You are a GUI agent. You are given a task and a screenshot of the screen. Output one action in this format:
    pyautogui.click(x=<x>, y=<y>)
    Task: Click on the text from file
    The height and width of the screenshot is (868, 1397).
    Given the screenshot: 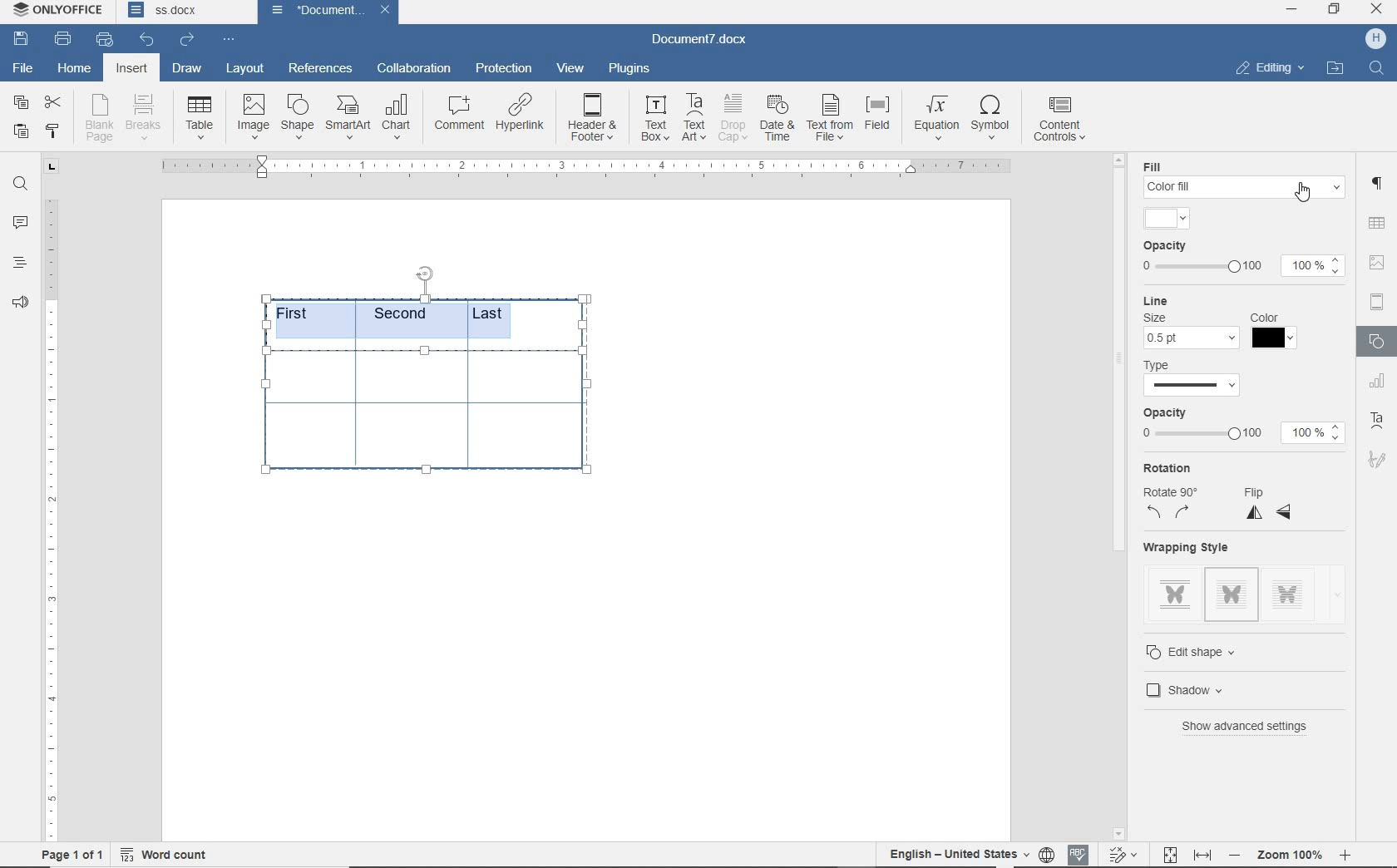 What is the action you would take?
    pyautogui.click(x=830, y=116)
    